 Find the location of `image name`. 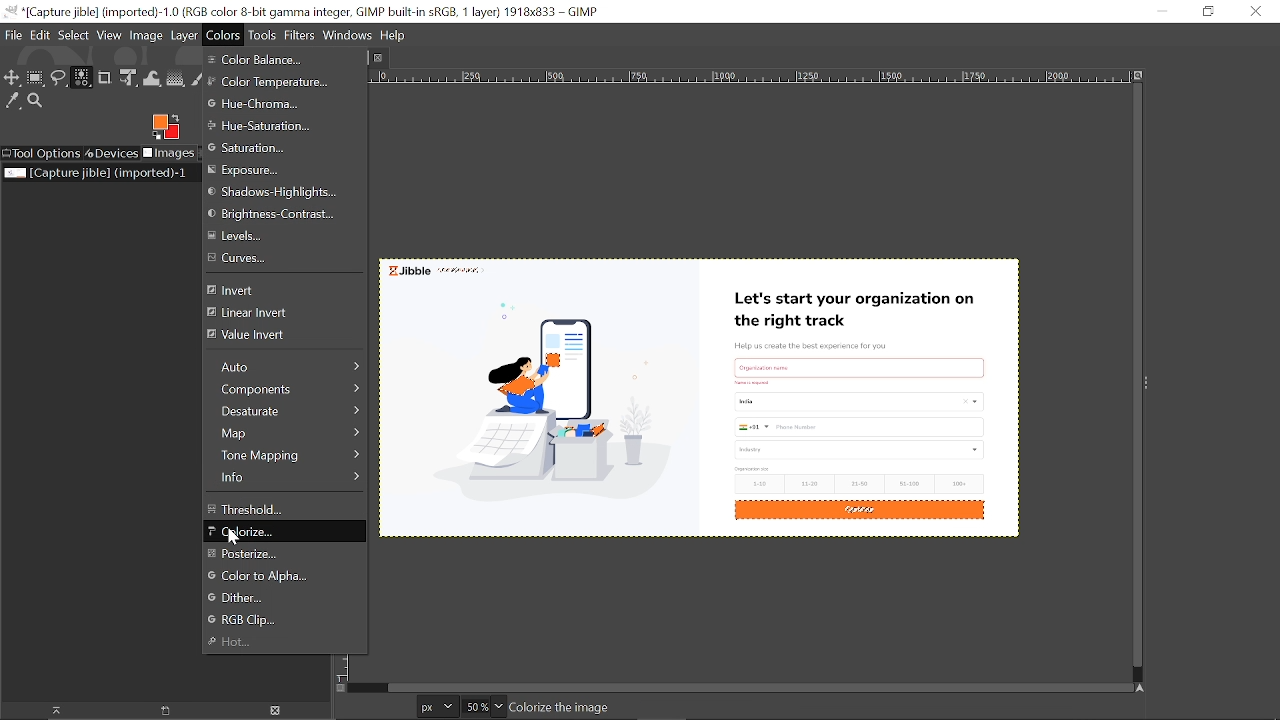

image name is located at coordinates (628, 708).